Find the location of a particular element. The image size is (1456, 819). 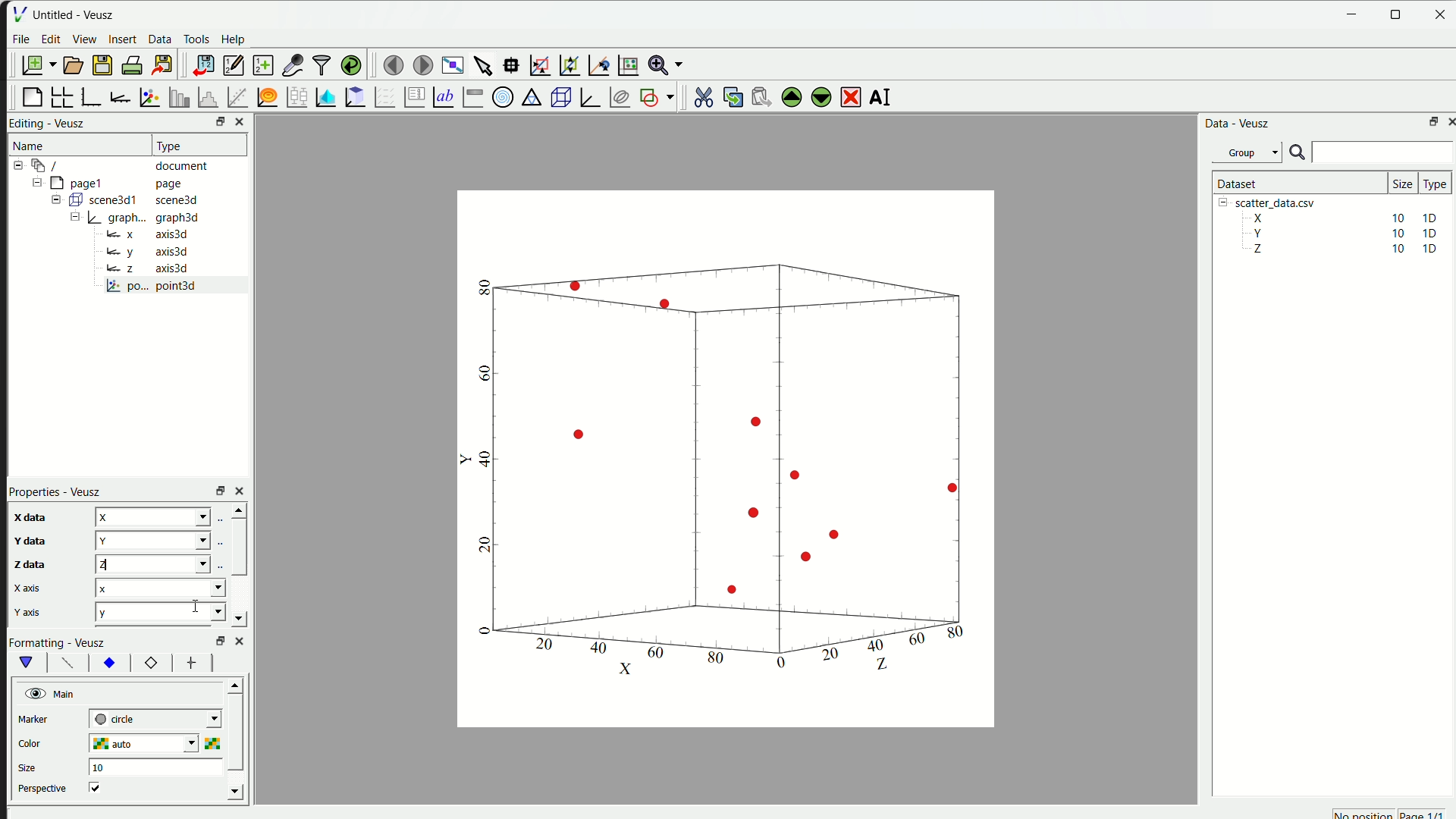

move to previous page is located at coordinates (391, 63).